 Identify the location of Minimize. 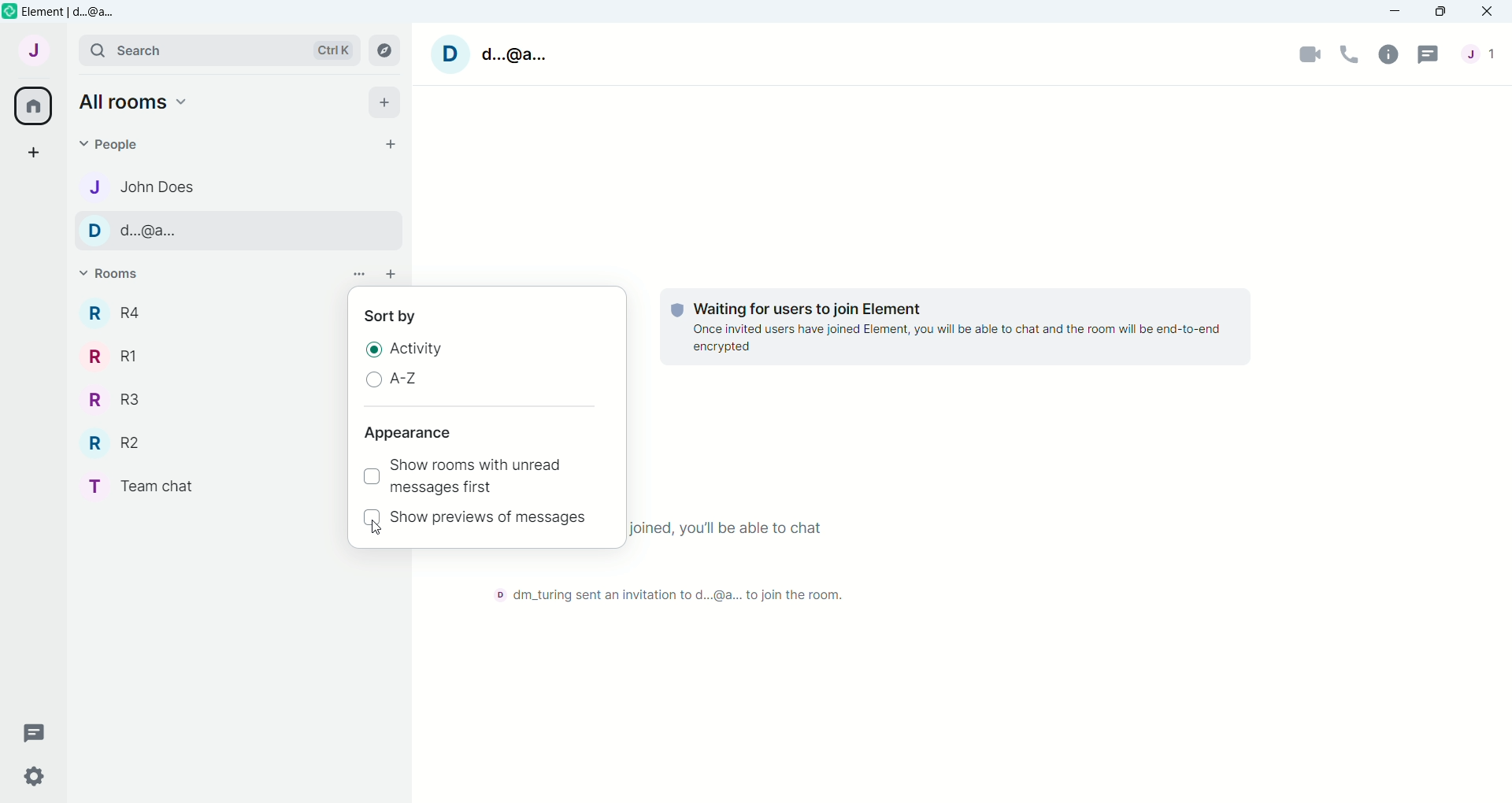
(1393, 11).